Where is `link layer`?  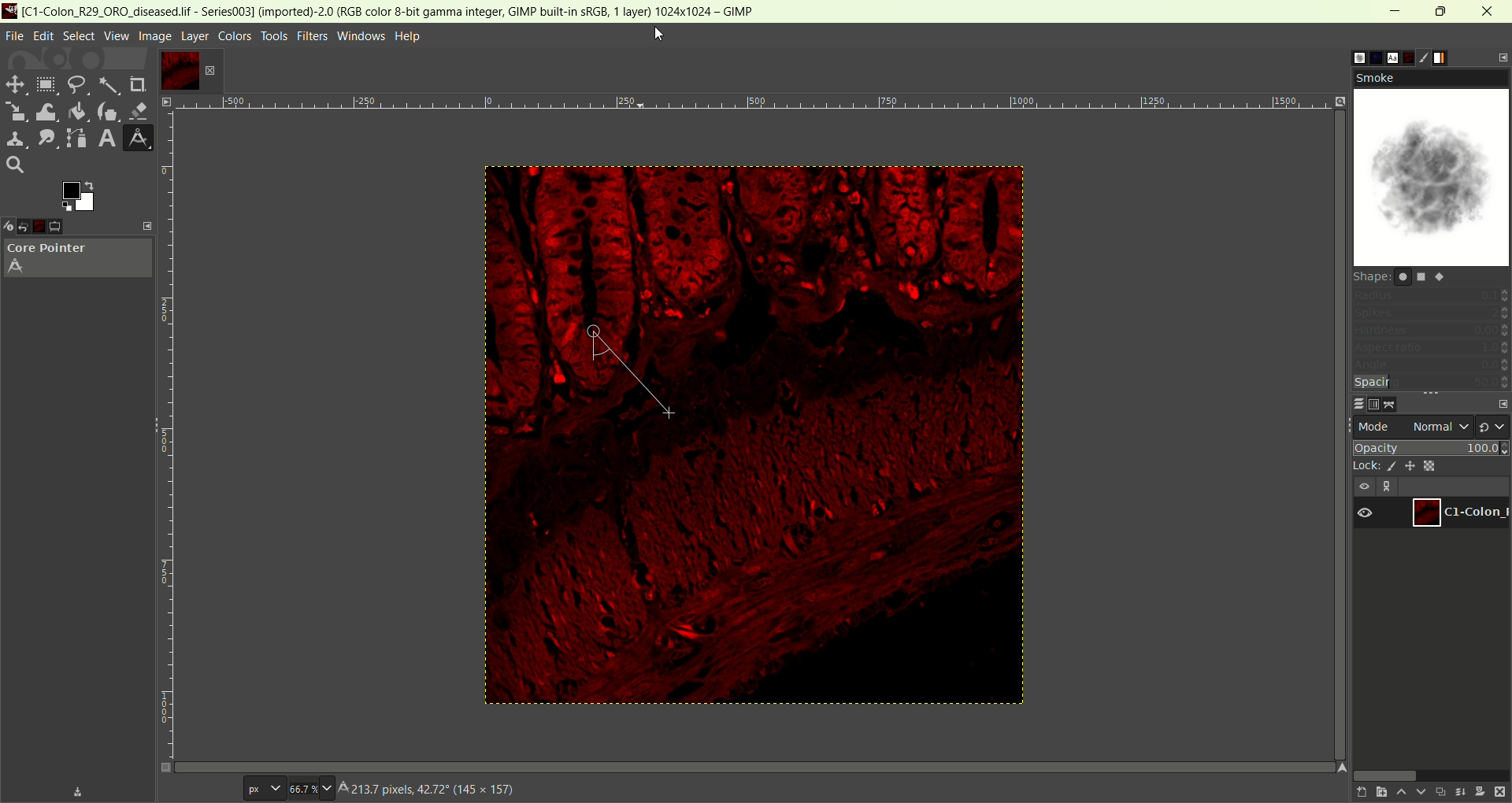 link layer is located at coordinates (1388, 487).